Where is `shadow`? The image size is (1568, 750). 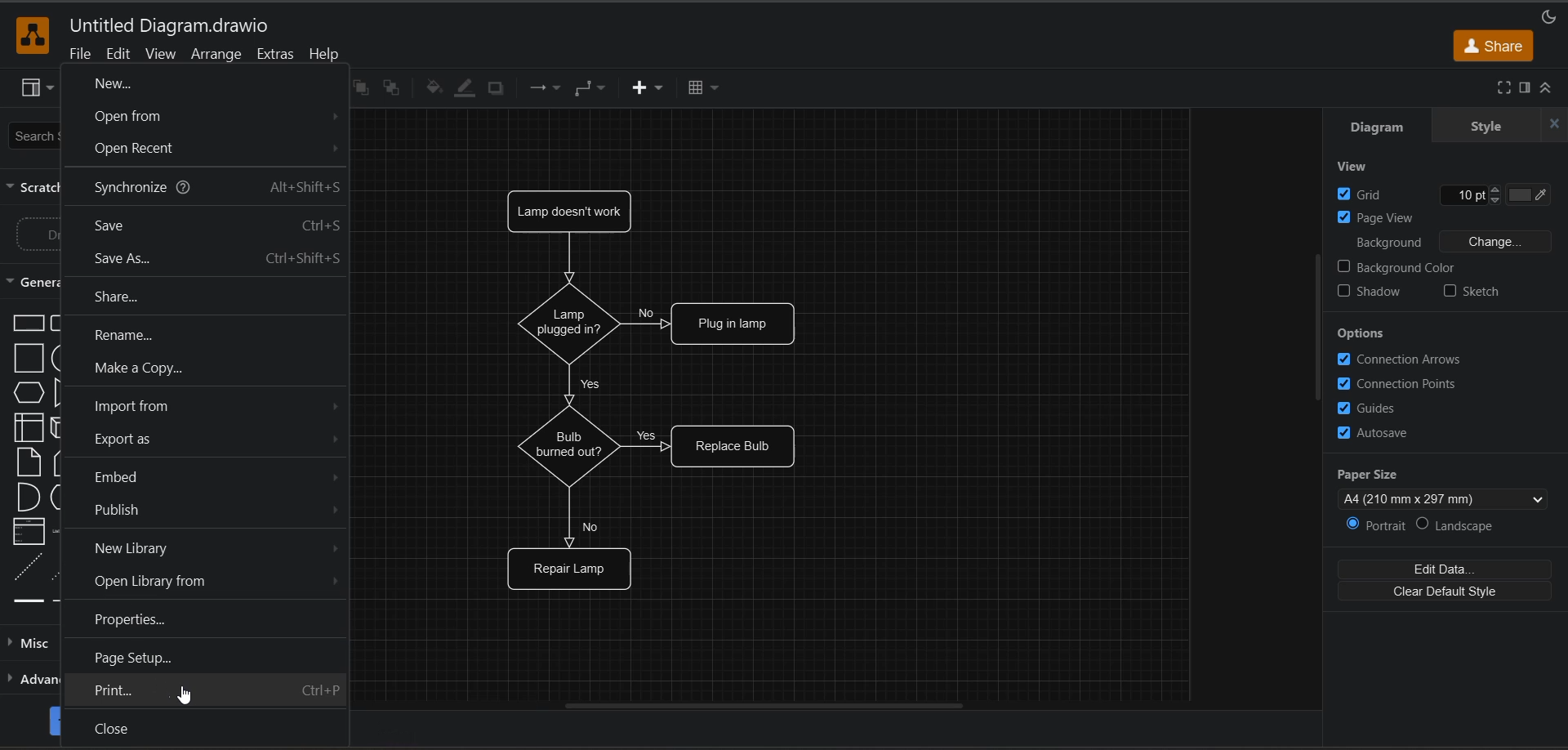 shadow is located at coordinates (497, 88).